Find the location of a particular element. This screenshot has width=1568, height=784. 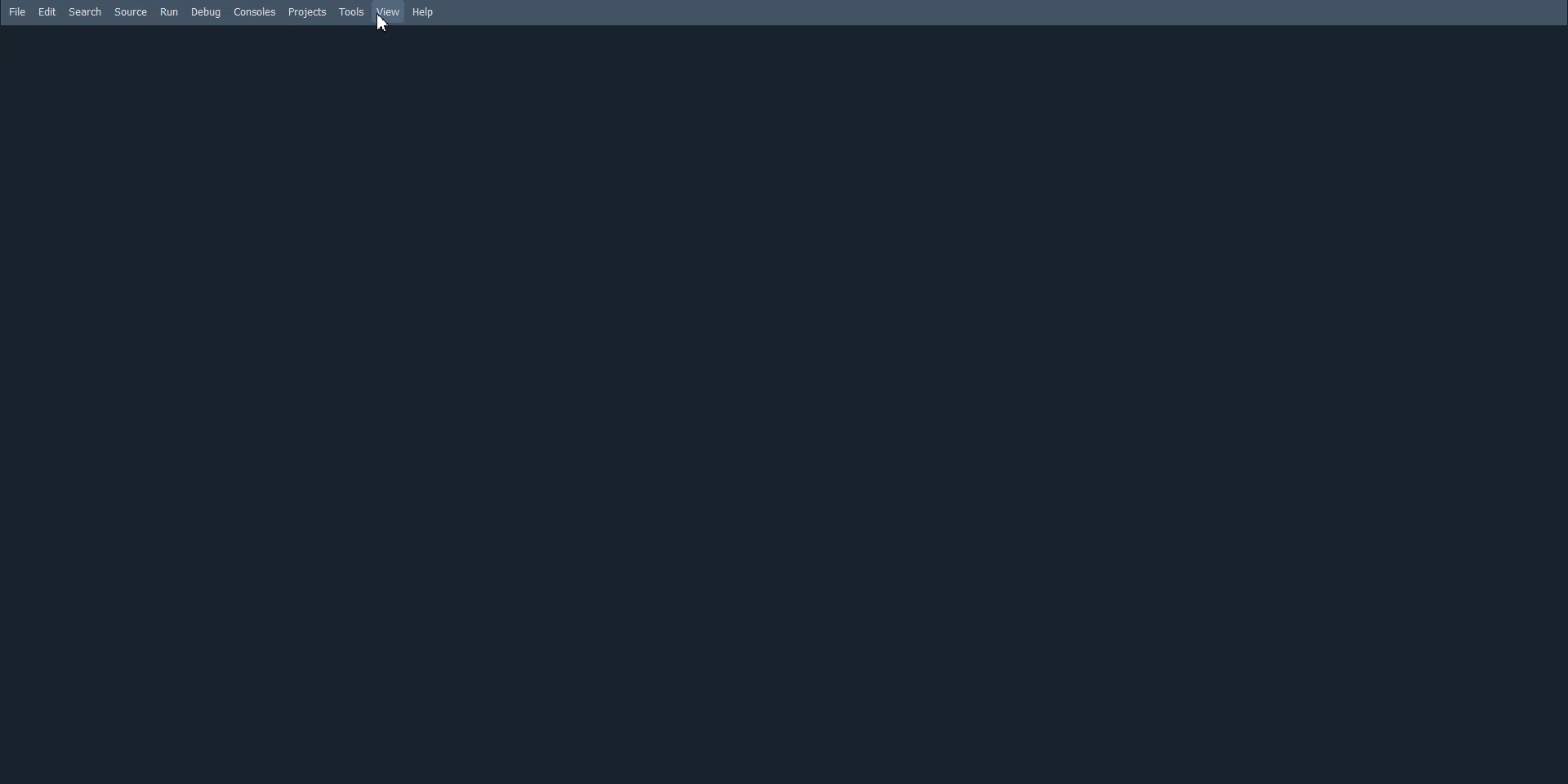

Search is located at coordinates (84, 11).